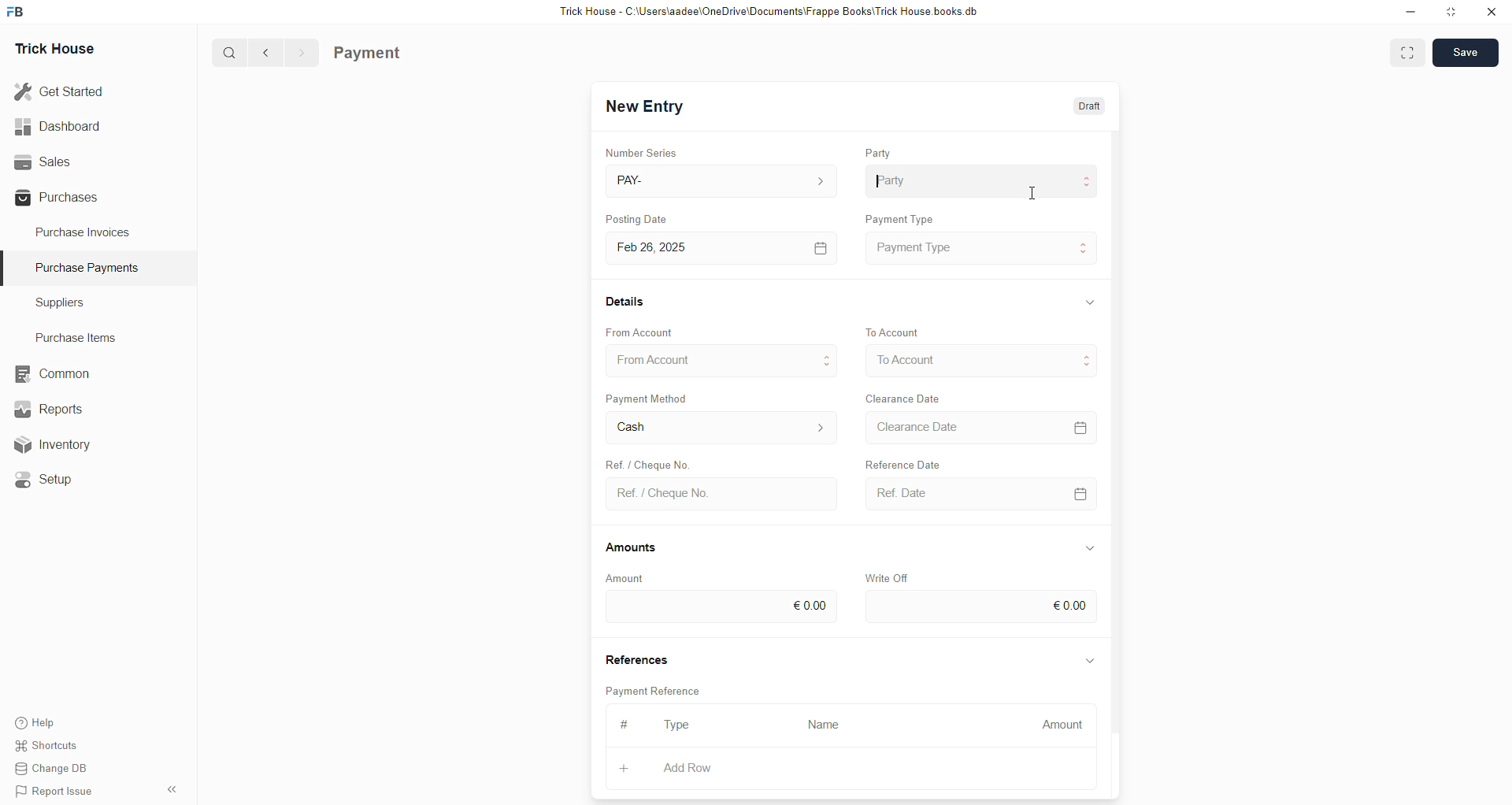  What do you see at coordinates (1085, 109) in the screenshot?
I see `Draft` at bounding box center [1085, 109].